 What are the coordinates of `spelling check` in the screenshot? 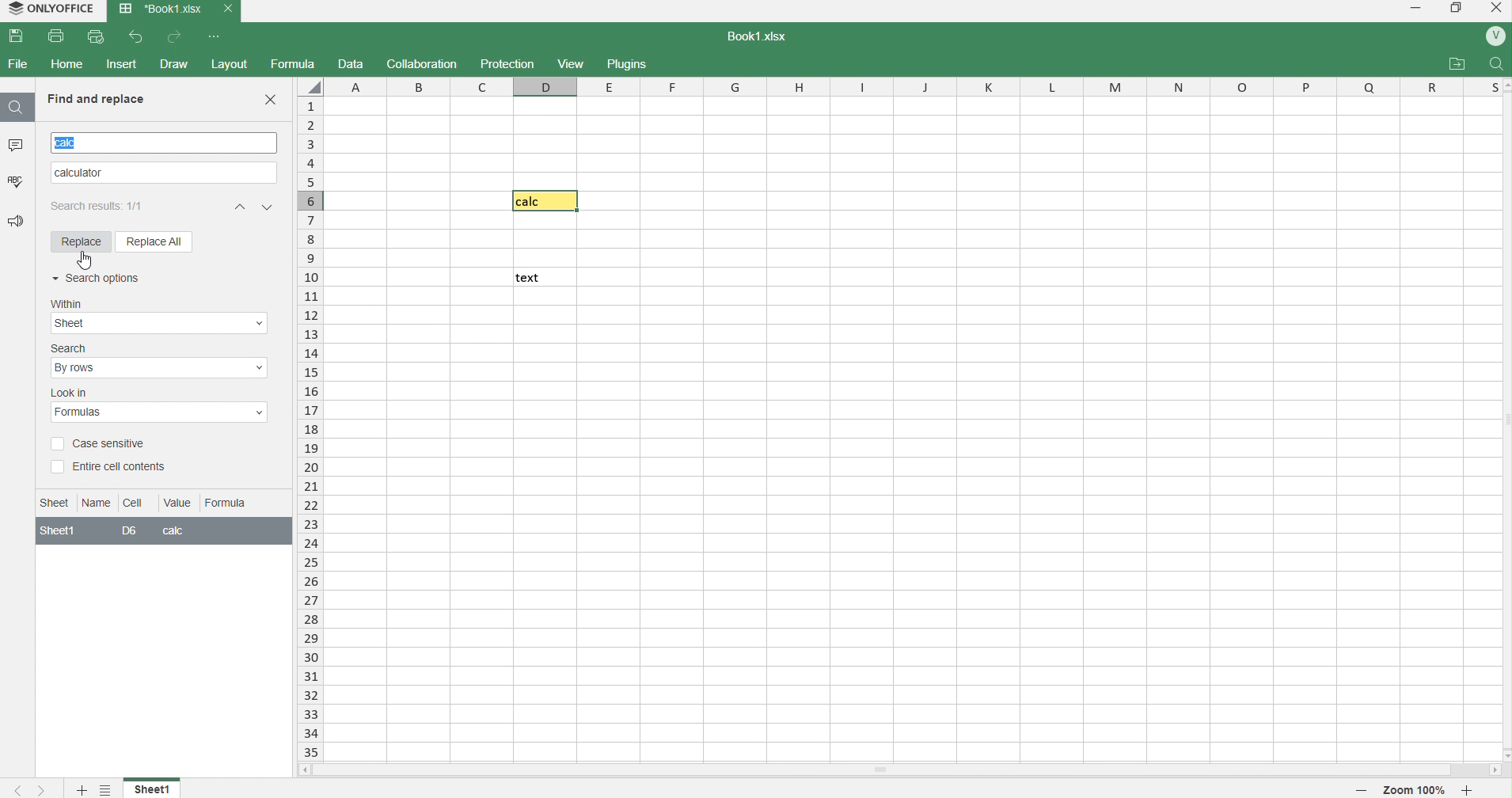 It's located at (17, 182).